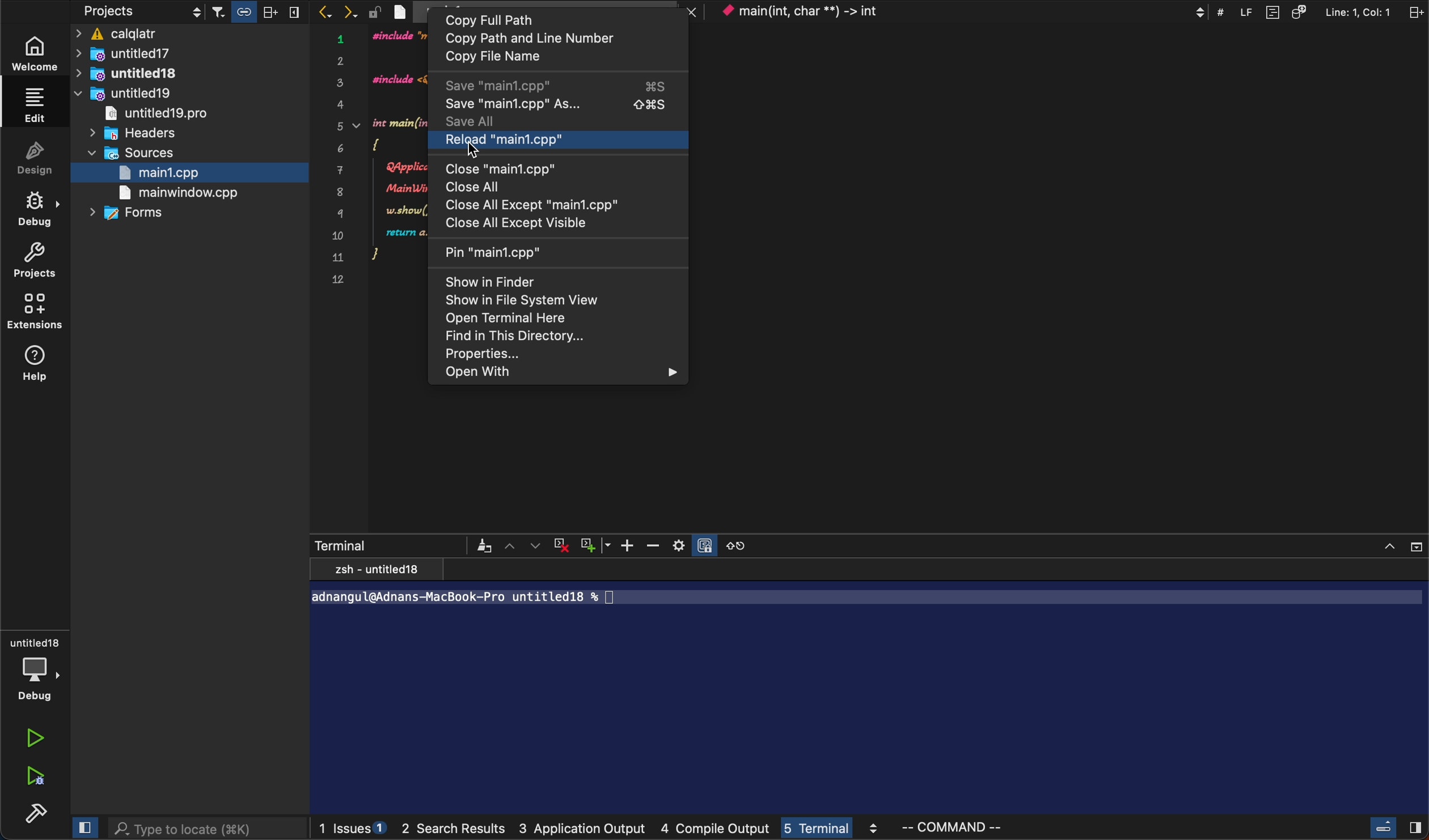 The image size is (1429, 840). What do you see at coordinates (40, 49) in the screenshot?
I see `welcome` at bounding box center [40, 49].